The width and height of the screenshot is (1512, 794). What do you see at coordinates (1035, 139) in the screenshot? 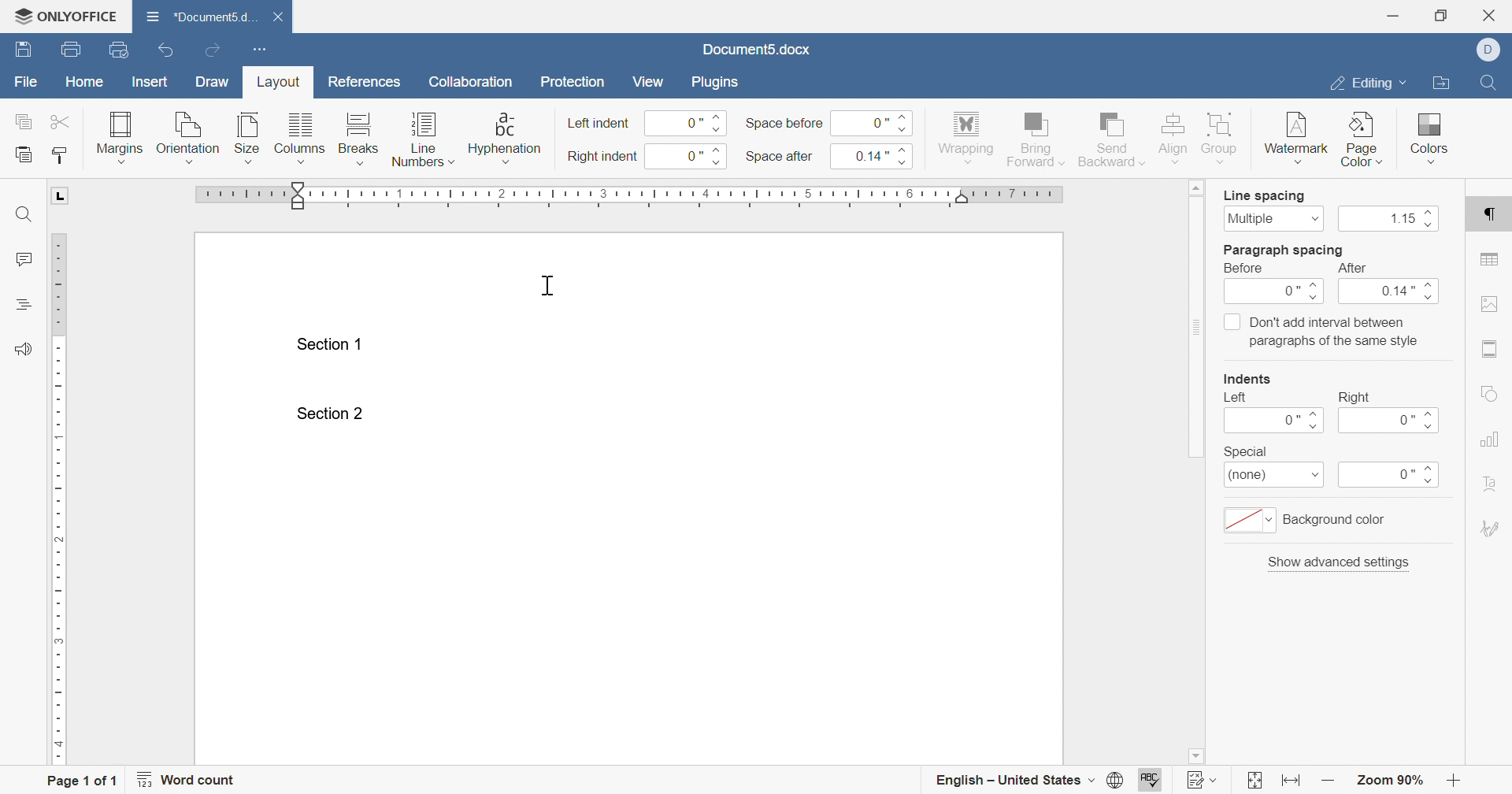
I see `bring forward` at bounding box center [1035, 139].